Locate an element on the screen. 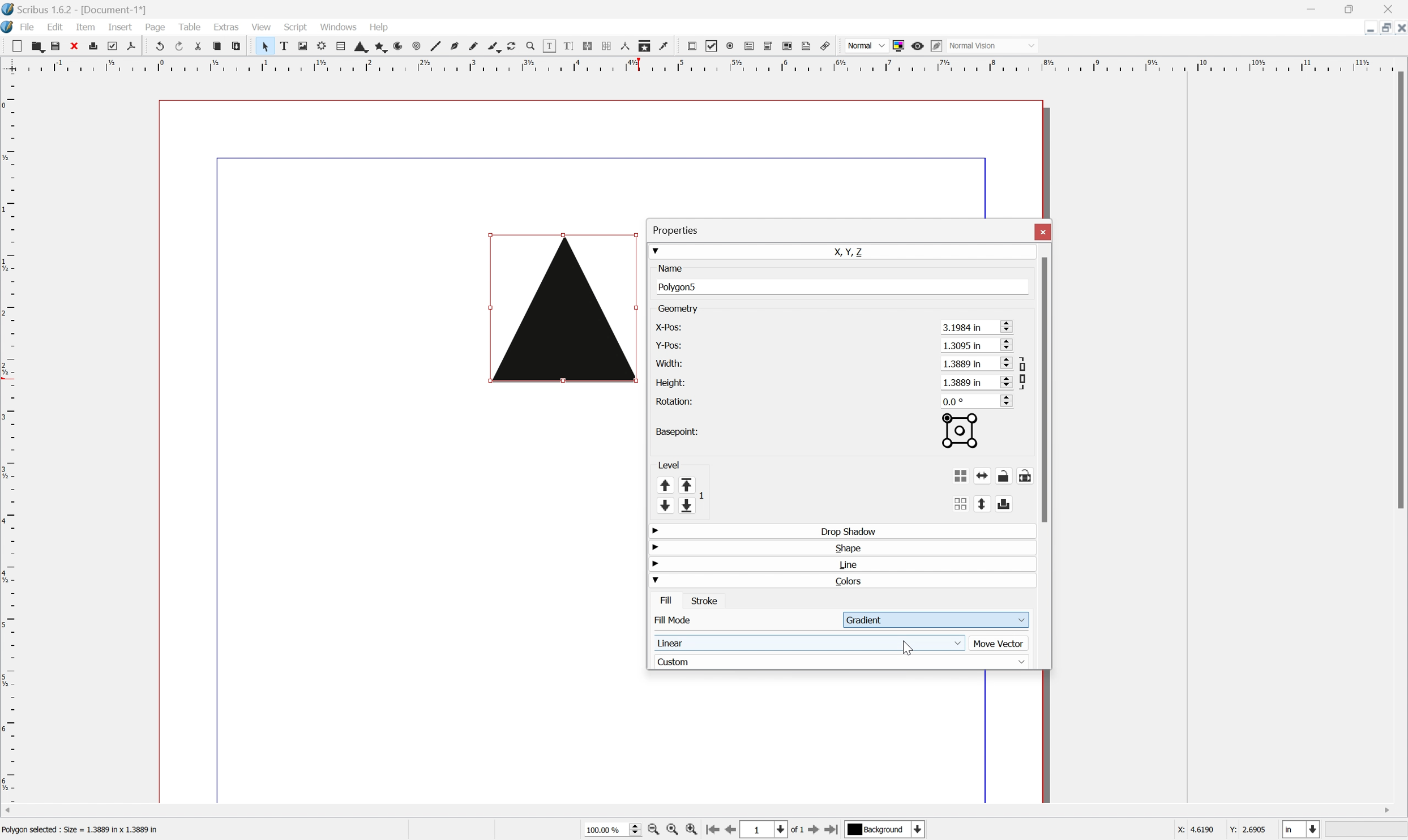 This screenshot has height=840, width=1408. Text frame is located at coordinates (286, 46).